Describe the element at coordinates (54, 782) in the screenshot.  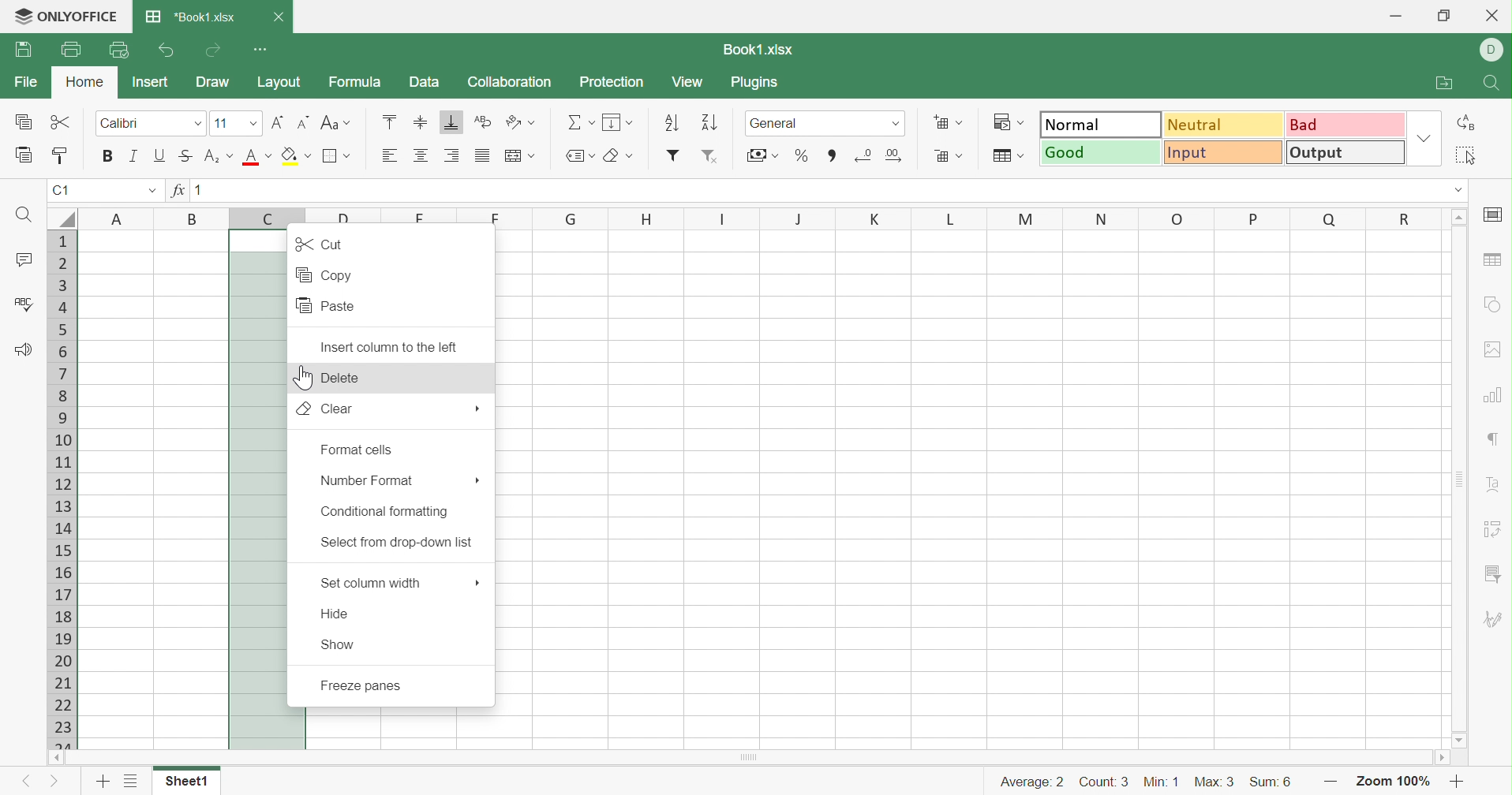
I see `Next` at that location.